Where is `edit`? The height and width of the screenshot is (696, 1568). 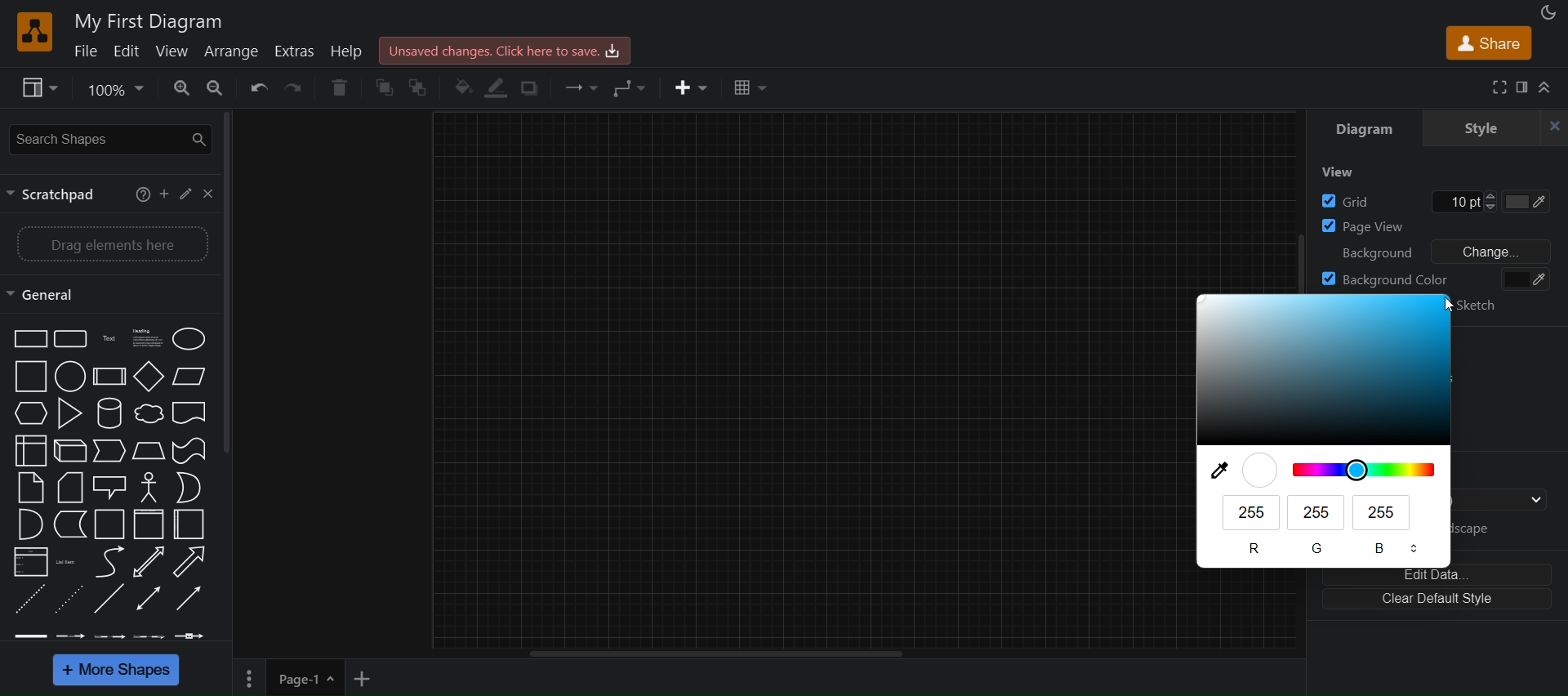
edit is located at coordinates (127, 53).